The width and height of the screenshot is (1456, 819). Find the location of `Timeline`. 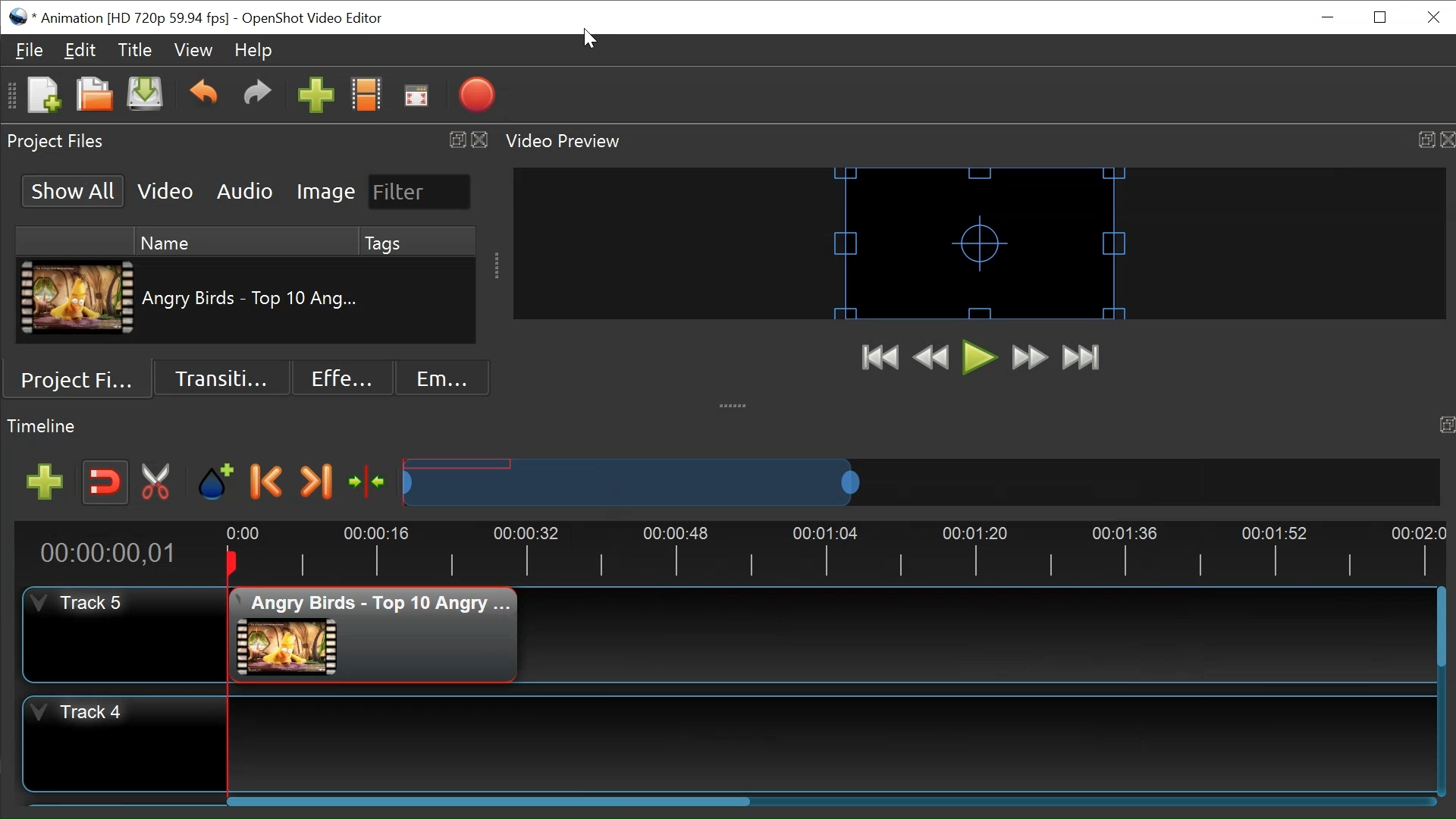

Timeline is located at coordinates (836, 551).